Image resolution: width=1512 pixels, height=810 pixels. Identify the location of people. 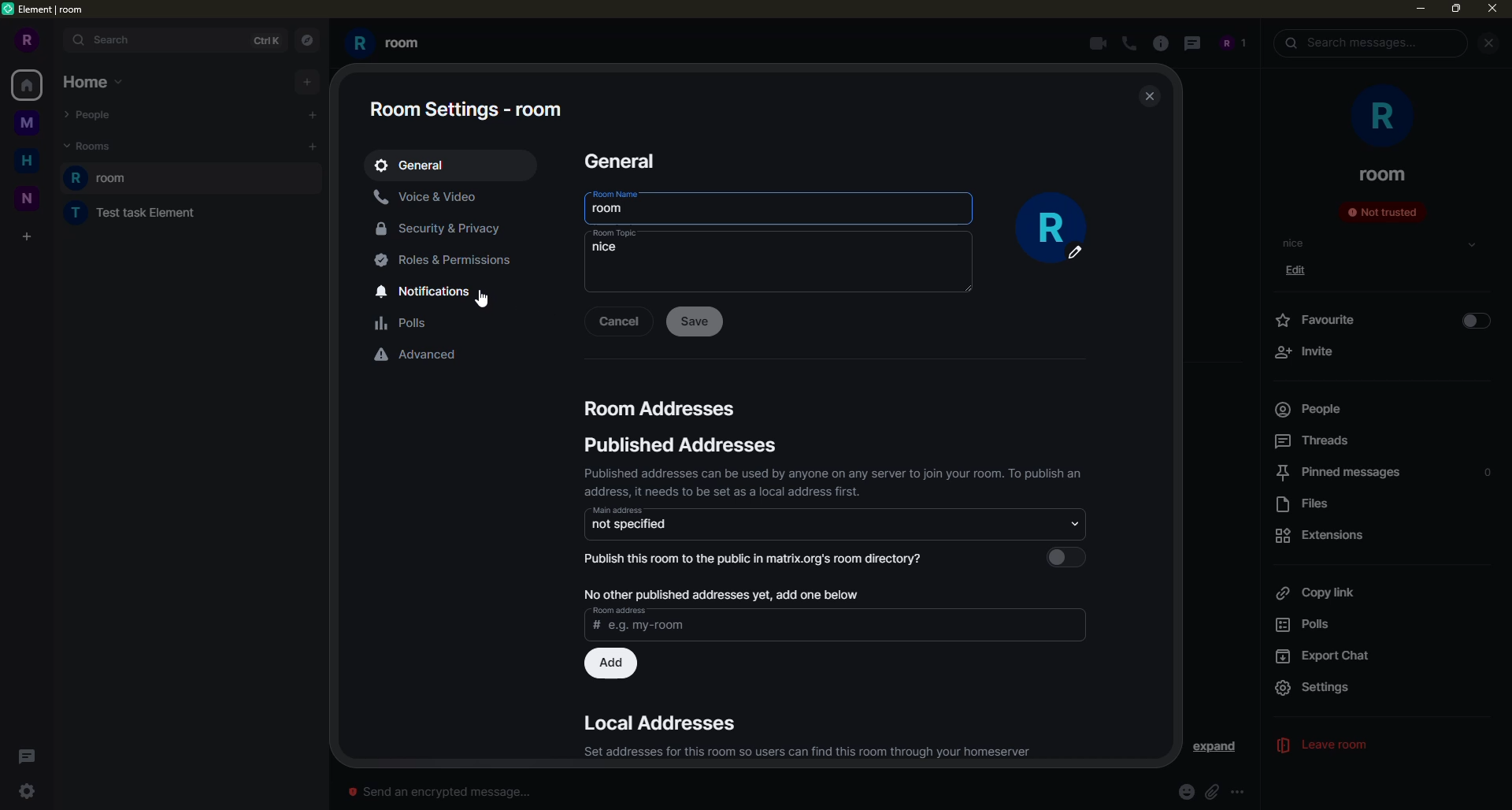
(93, 112).